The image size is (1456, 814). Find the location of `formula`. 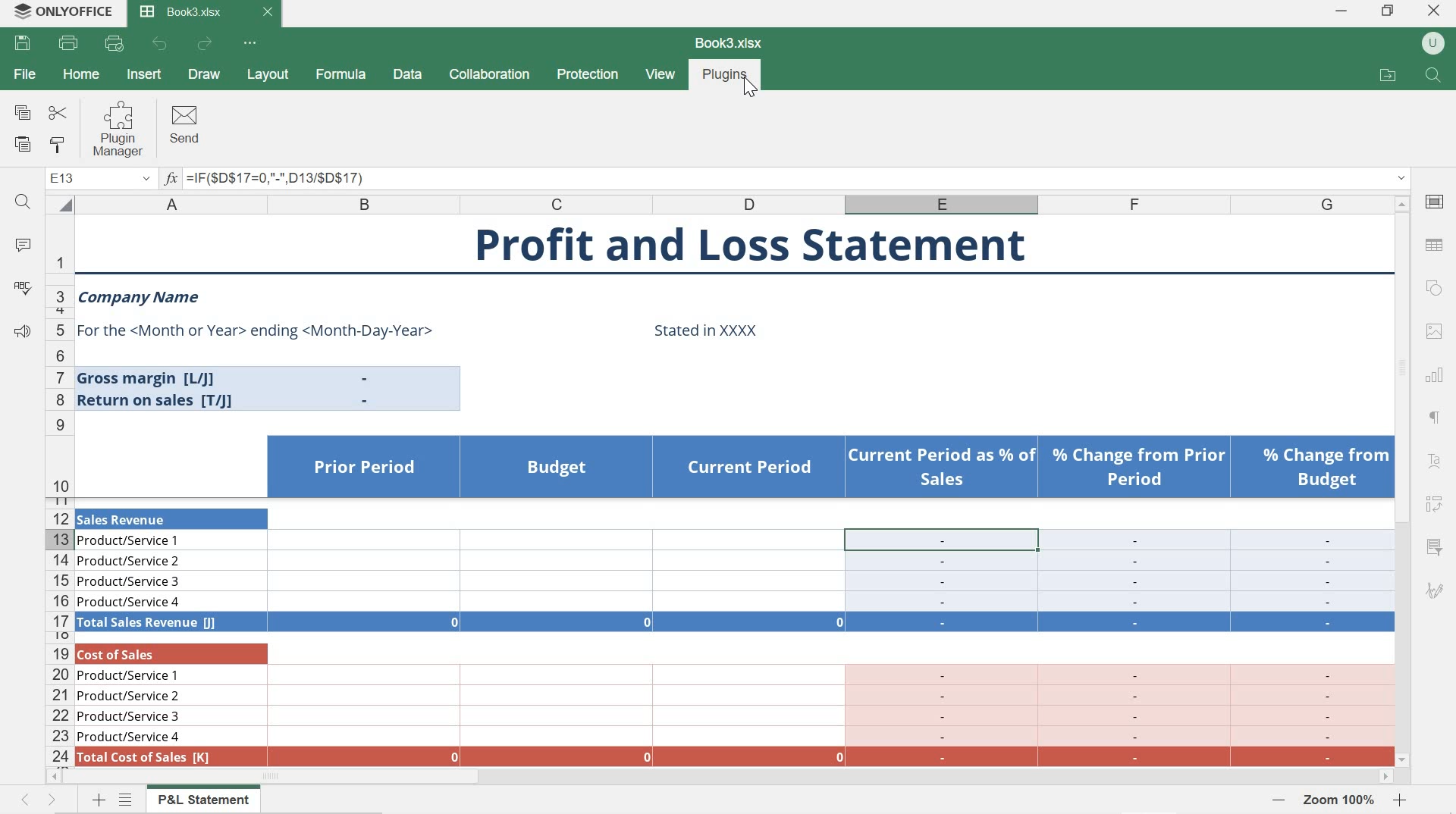

formula is located at coordinates (342, 76).